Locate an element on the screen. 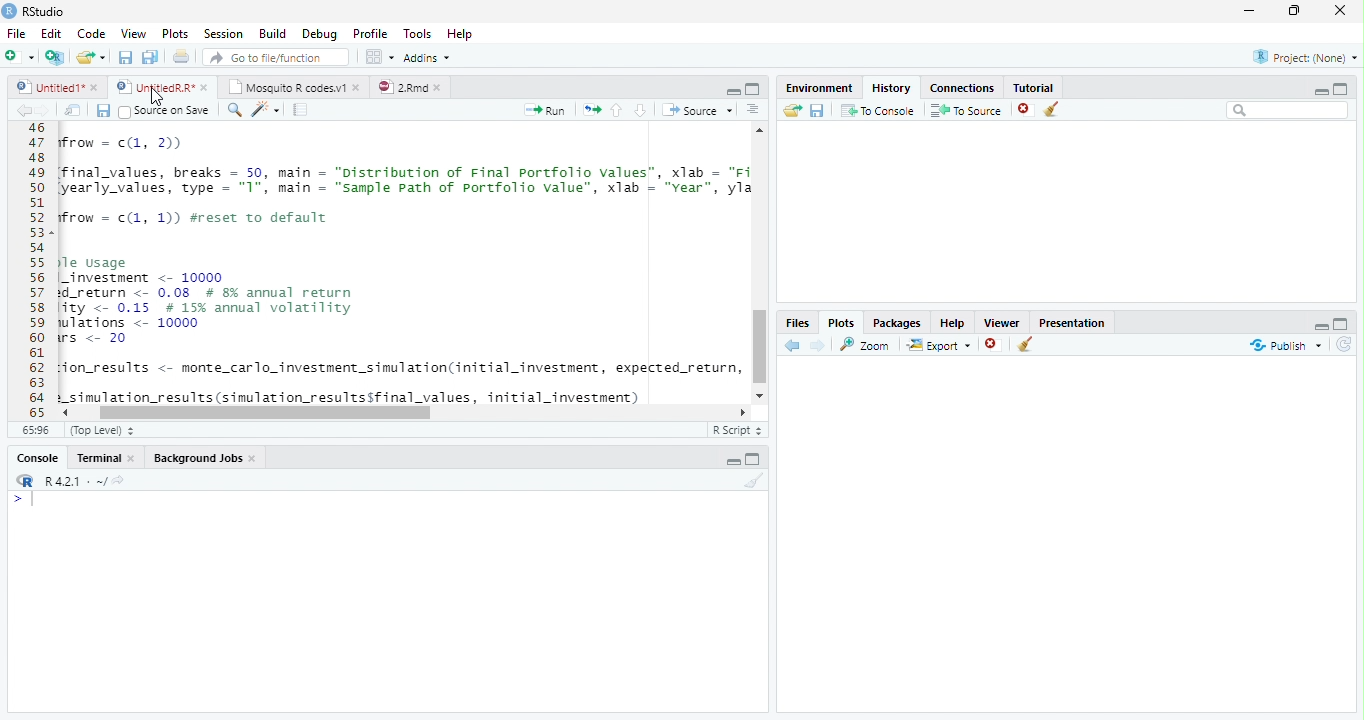  Hide is located at coordinates (732, 461).